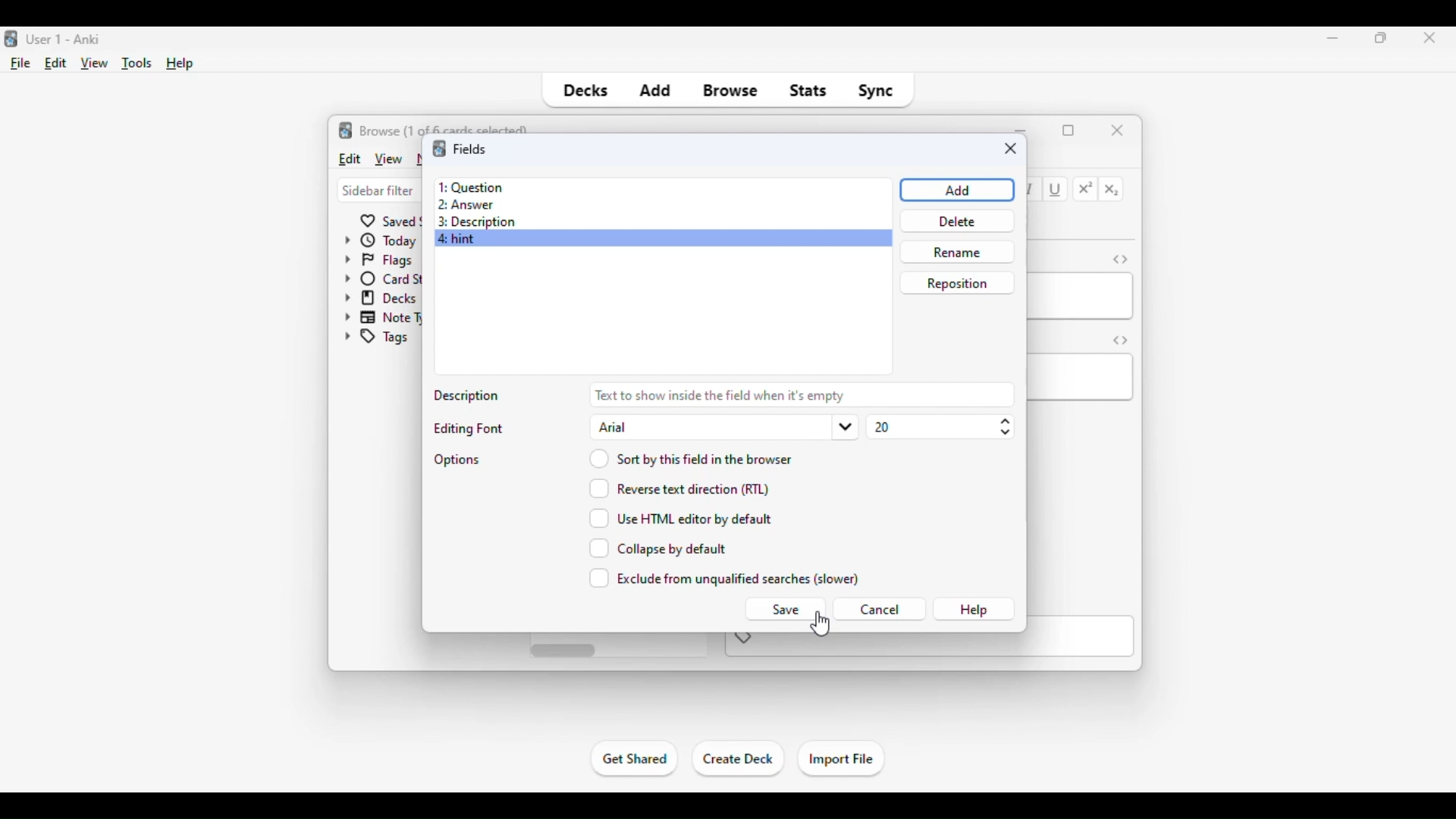 The height and width of the screenshot is (819, 1456). I want to click on editing font, so click(466, 428).